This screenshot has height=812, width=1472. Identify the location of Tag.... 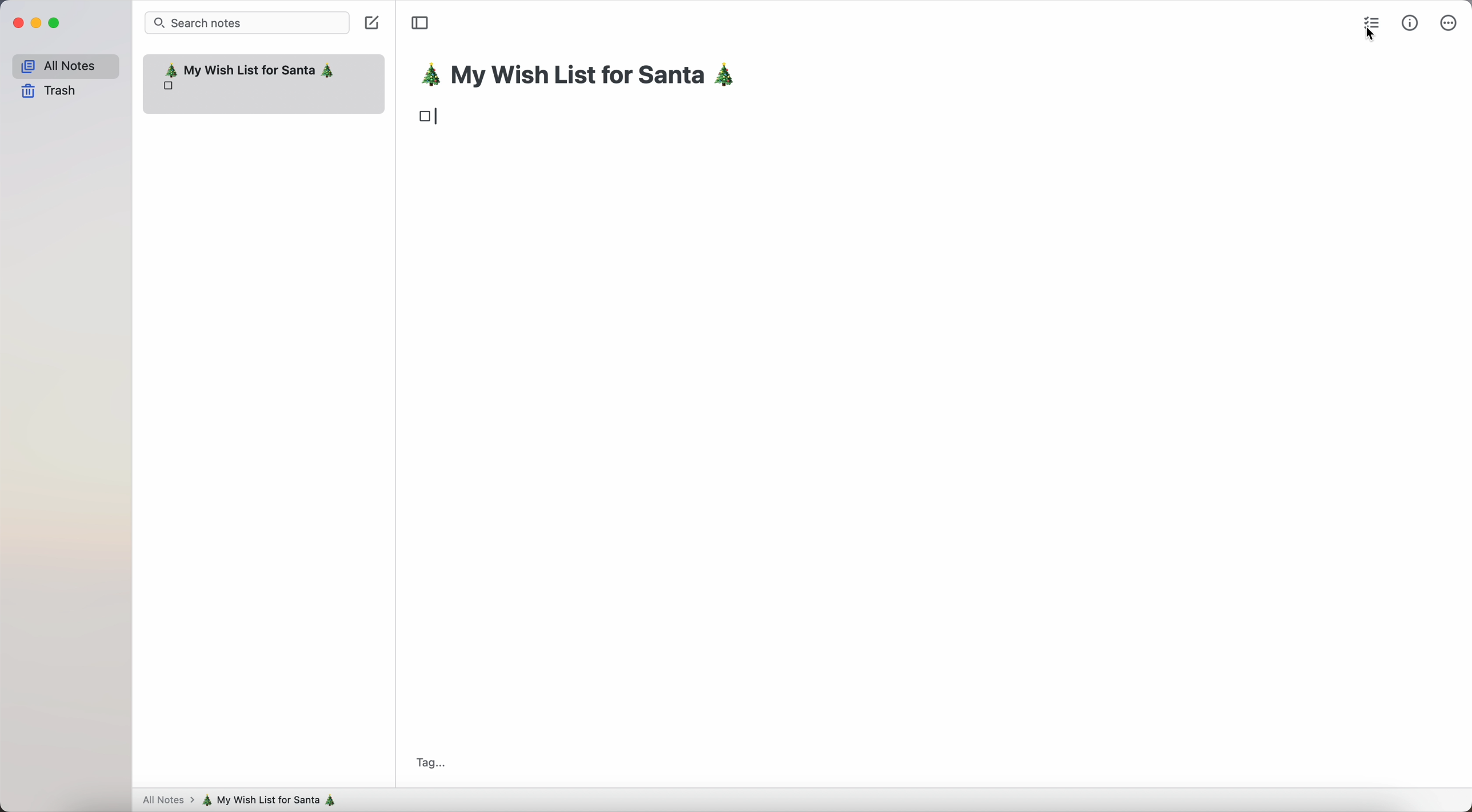
(435, 765).